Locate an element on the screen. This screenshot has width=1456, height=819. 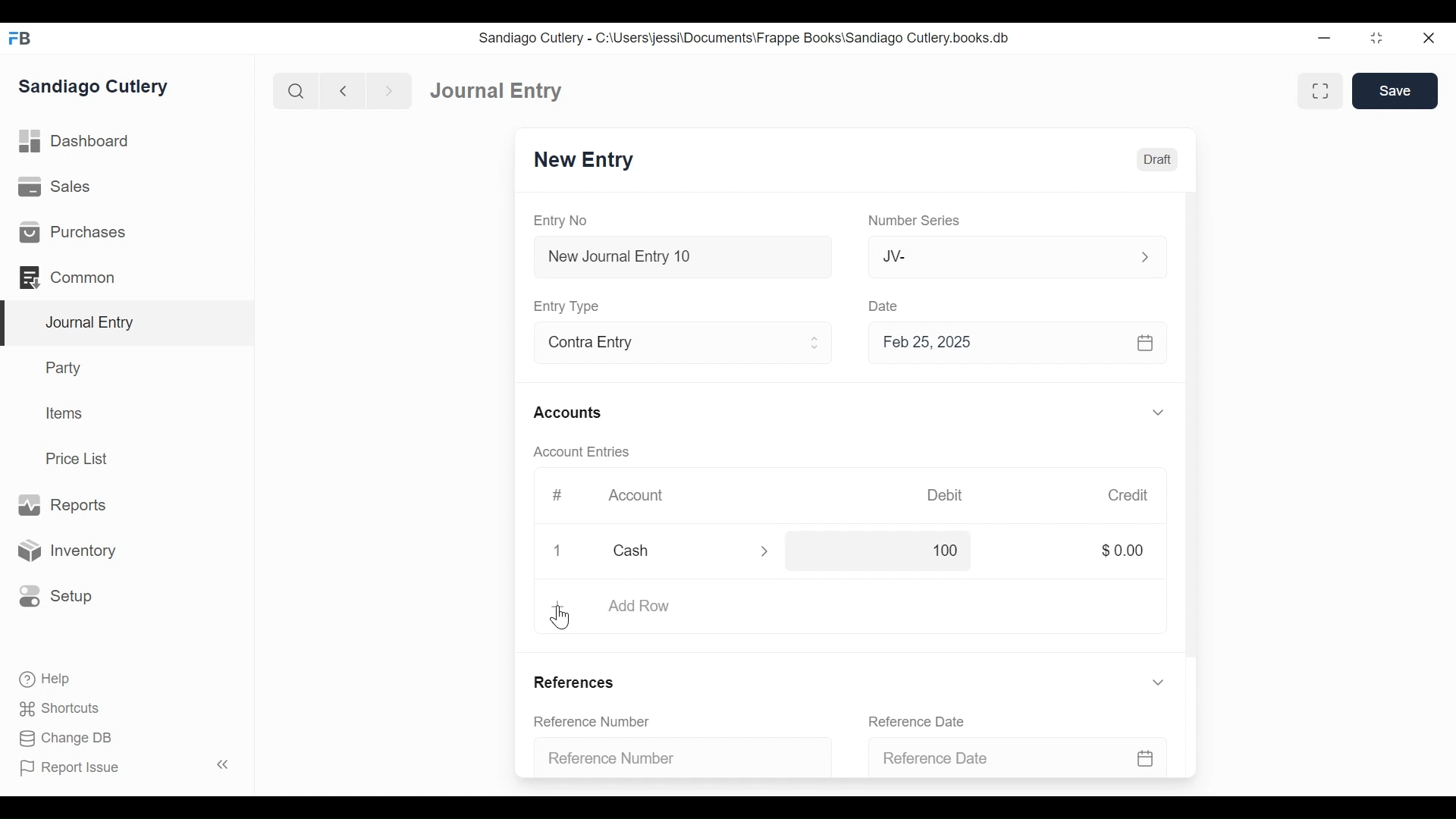
Sandiago Cutlery - C:\Users\jessi\Documents\Frappe Books\Sandiago Cutlery.books.db is located at coordinates (747, 39).